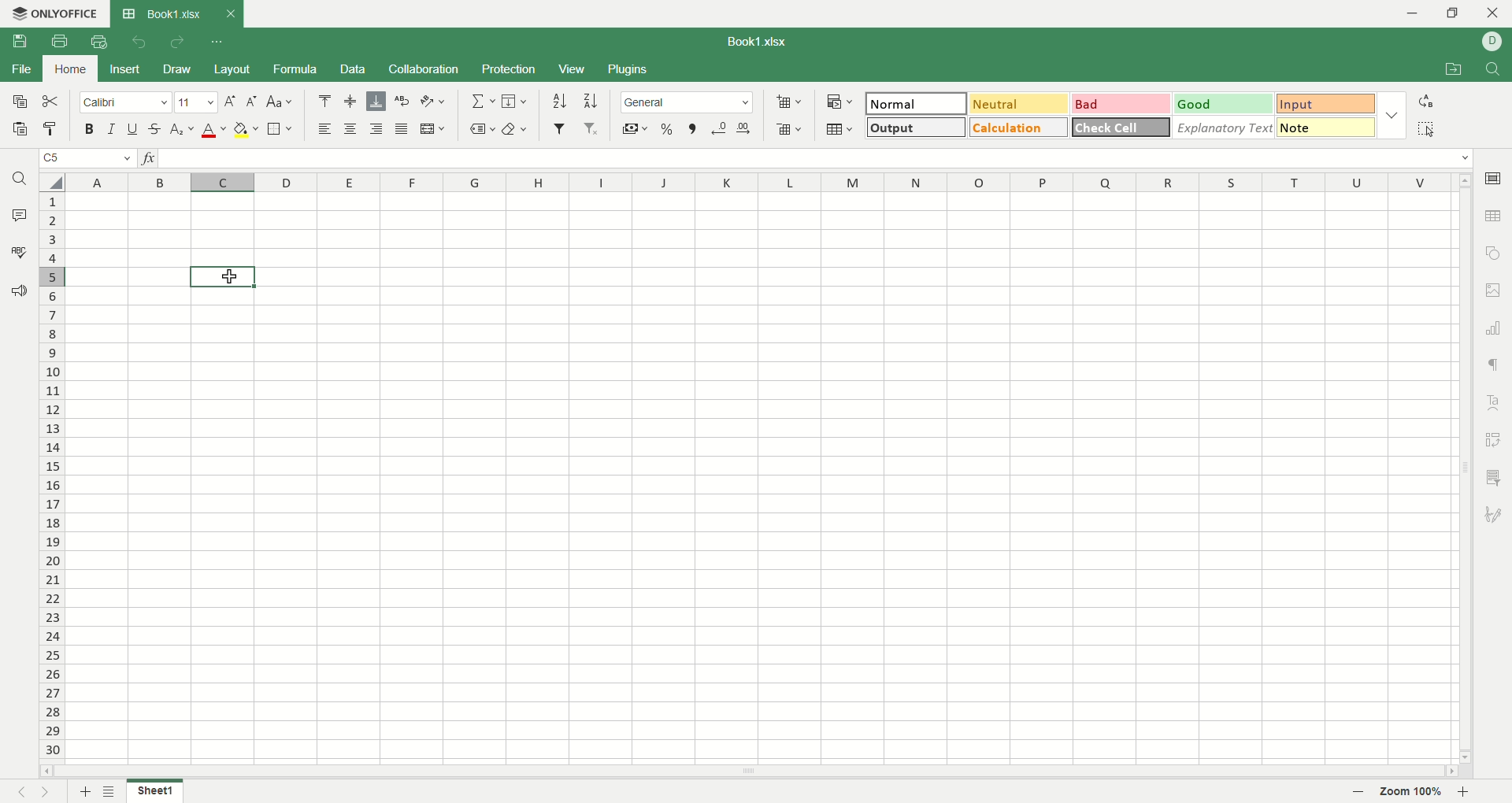 Image resolution: width=1512 pixels, height=803 pixels. I want to click on bold, so click(93, 130).